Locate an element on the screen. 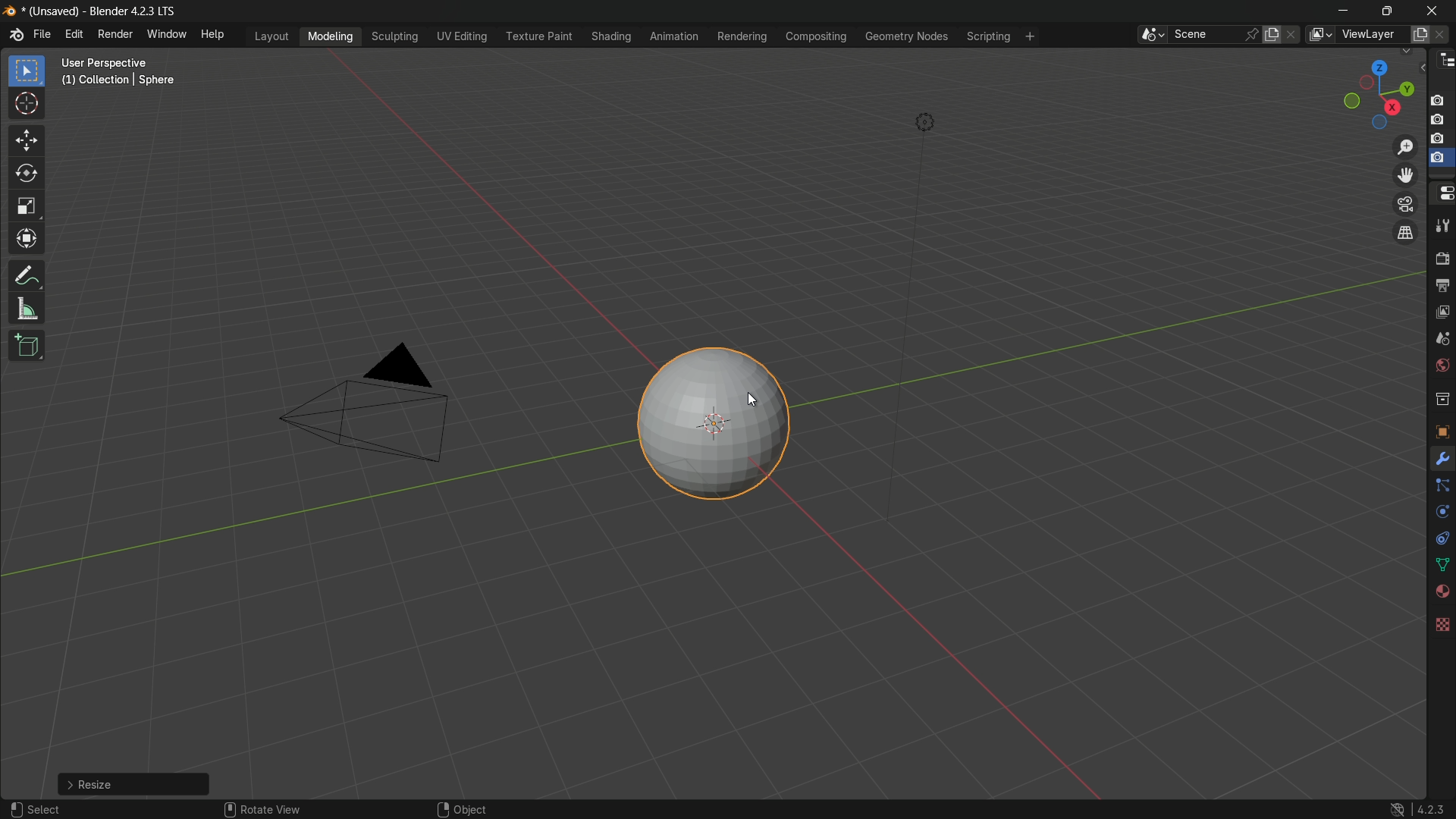 The width and height of the screenshot is (1456, 819). pin scene to workplace is located at coordinates (1253, 33).